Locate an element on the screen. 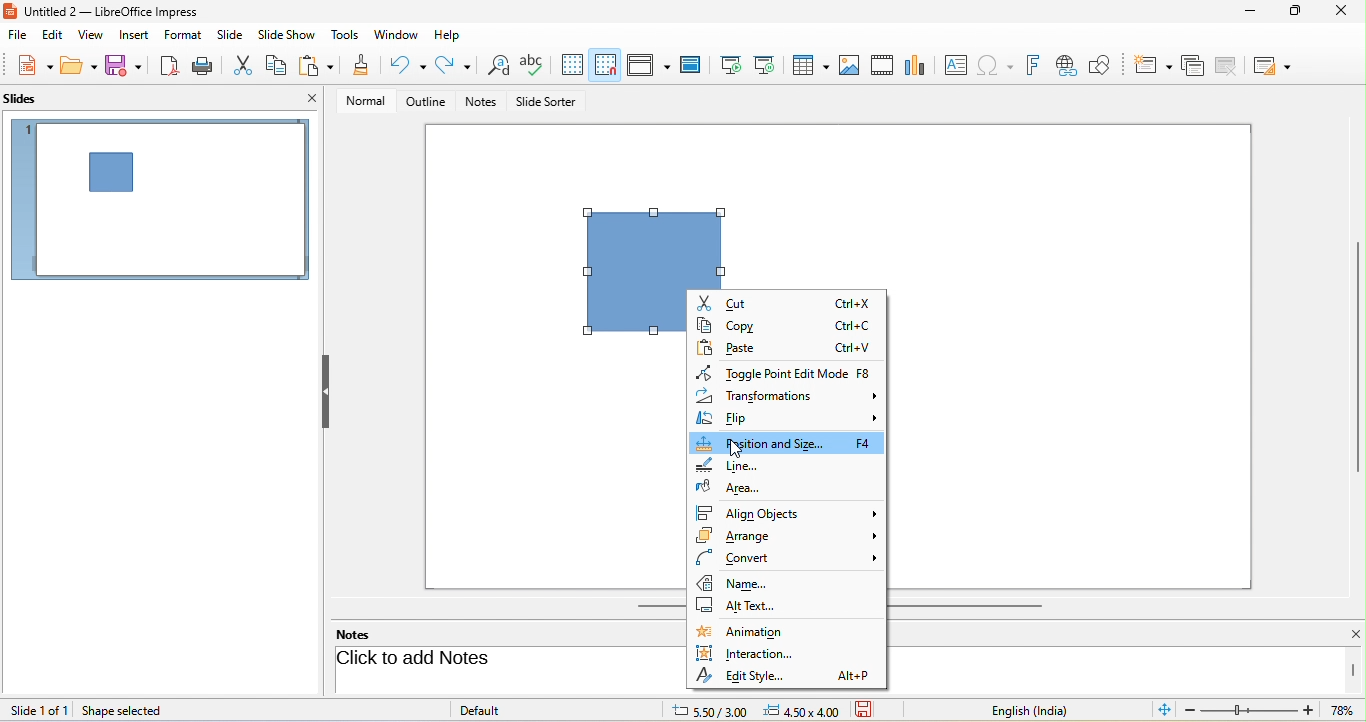 The image size is (1366, 722). save is located at coordinates (125, 66).